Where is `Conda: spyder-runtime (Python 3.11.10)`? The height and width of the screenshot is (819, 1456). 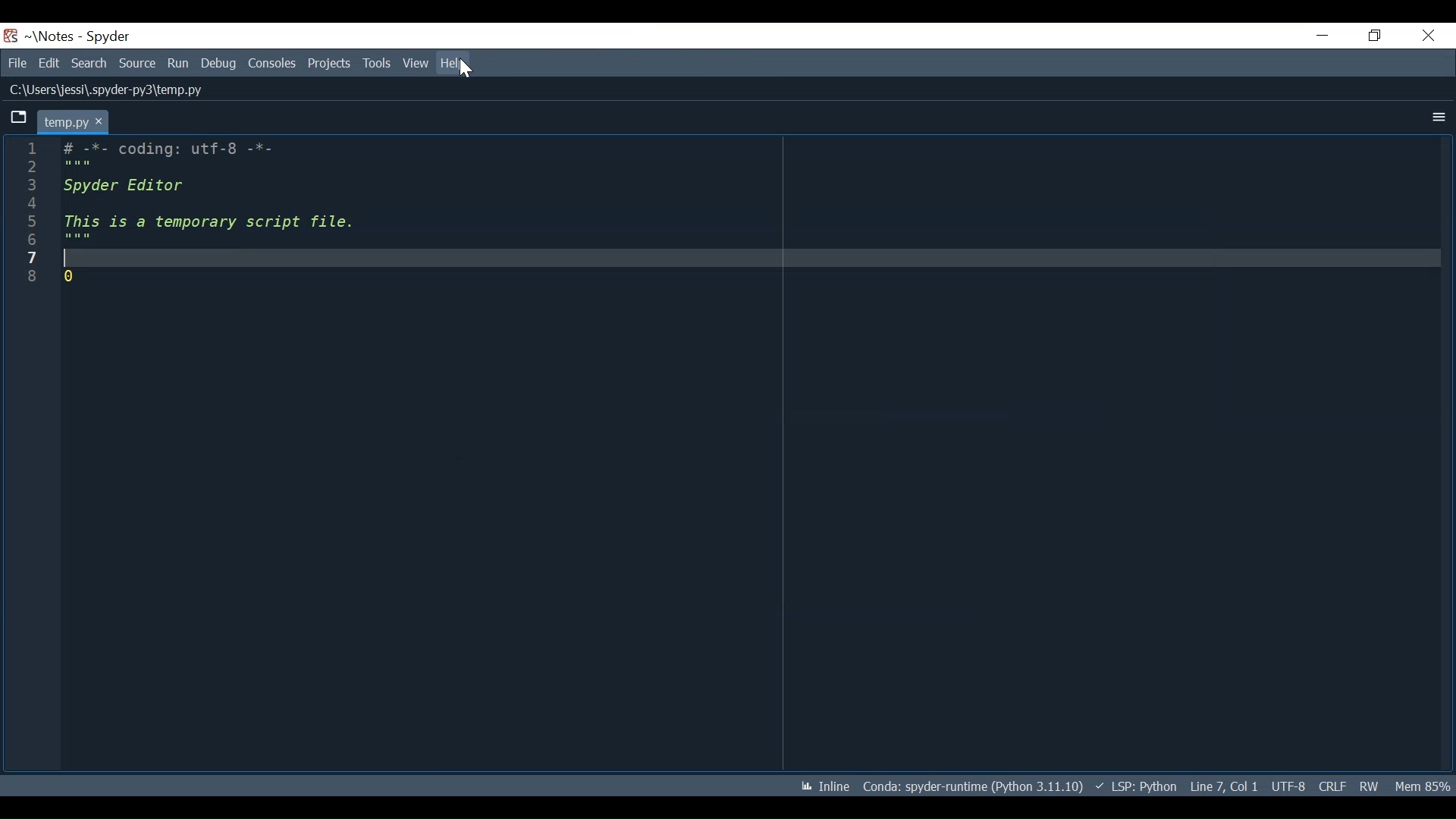
Conda: spyder-runtime (Python 3.11.10) is located at coordinates (974, 786).